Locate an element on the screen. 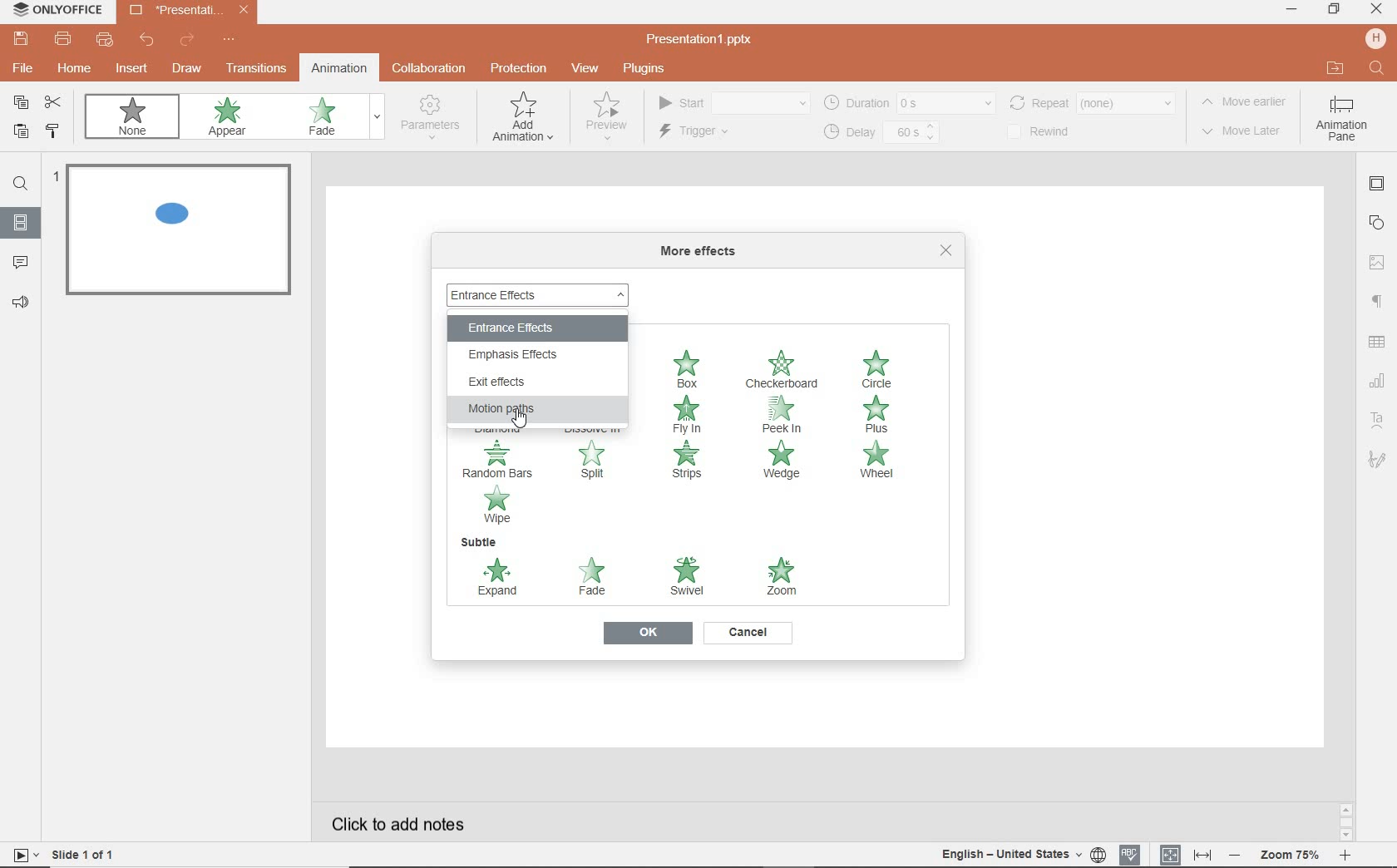 Image resolution: width=1397 pixels, height=868 pixels. BOX is located at coordinates (688, 367).